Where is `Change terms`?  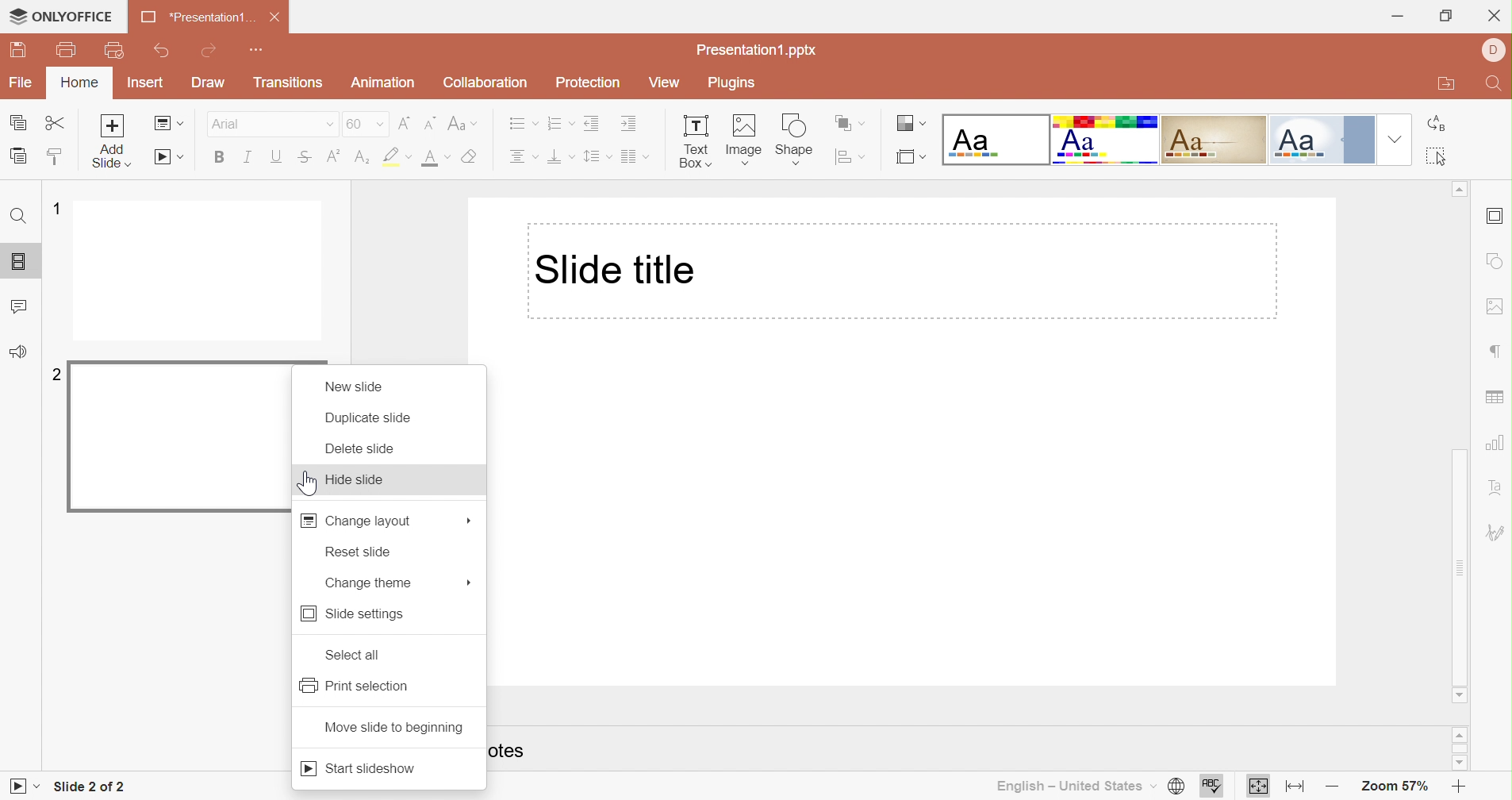
Change terms is located at coordinates (377, 581).